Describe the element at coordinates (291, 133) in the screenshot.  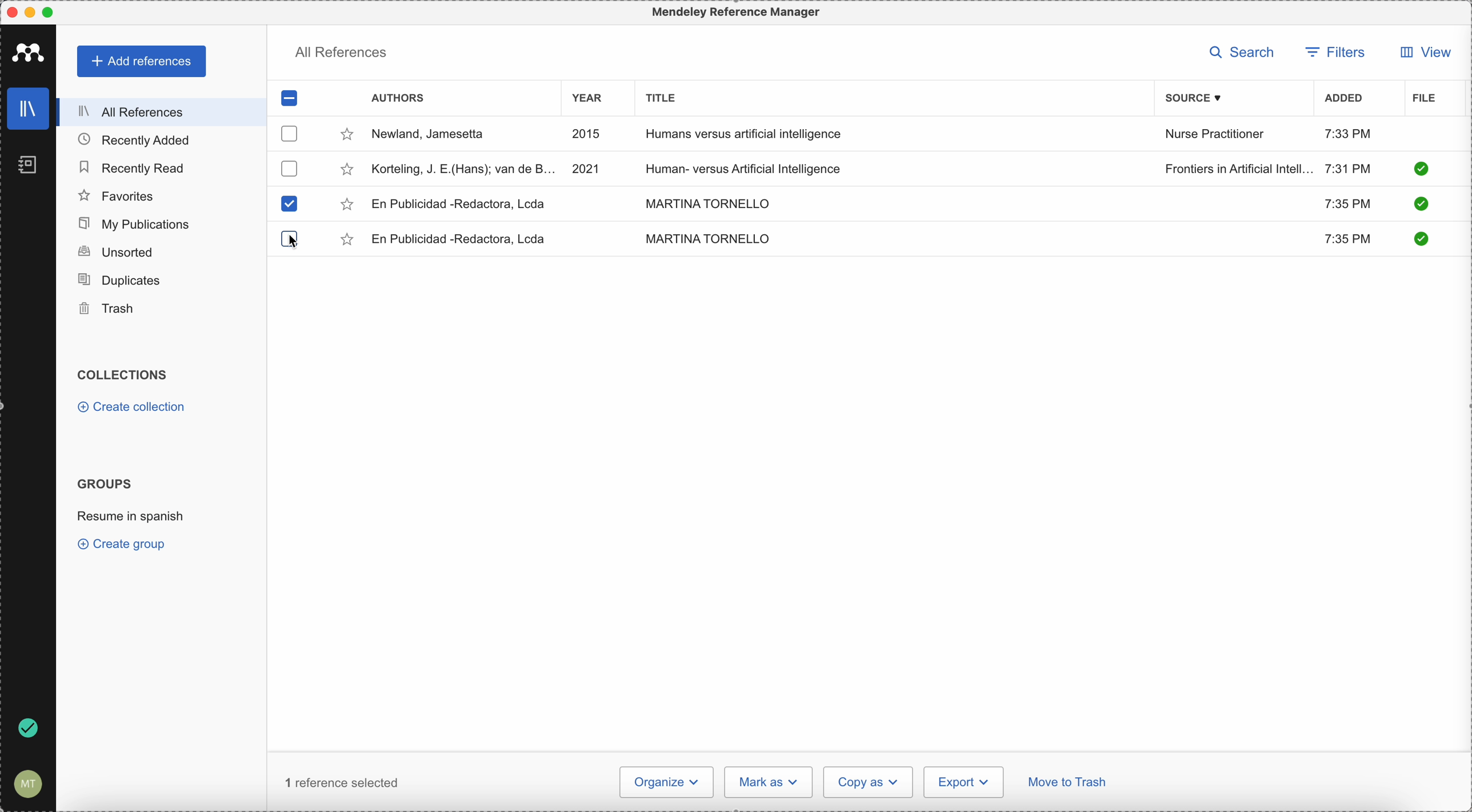
I see `checkbox` at that location.